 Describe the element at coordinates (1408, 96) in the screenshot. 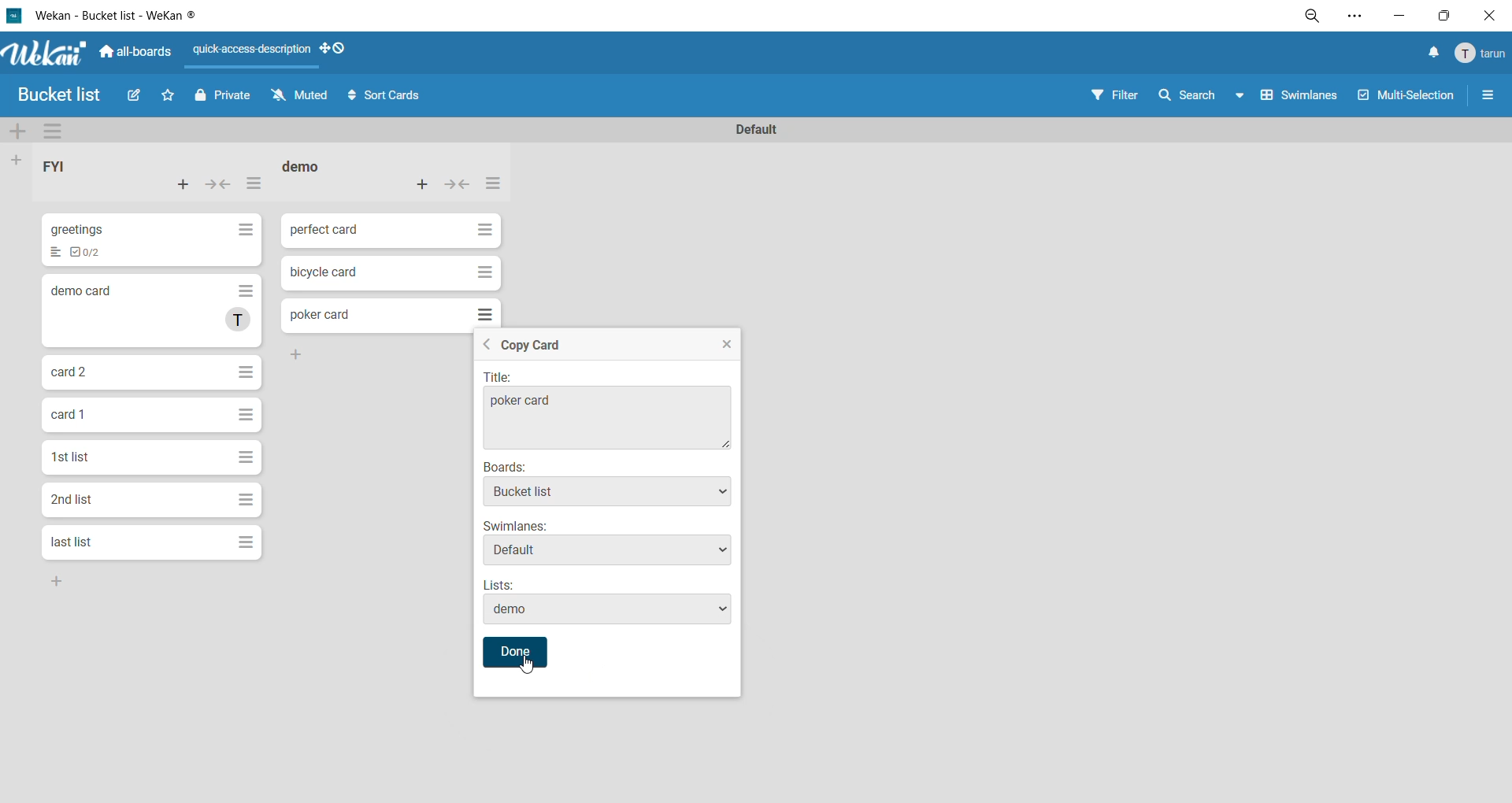

I see `multiselection` at that location.